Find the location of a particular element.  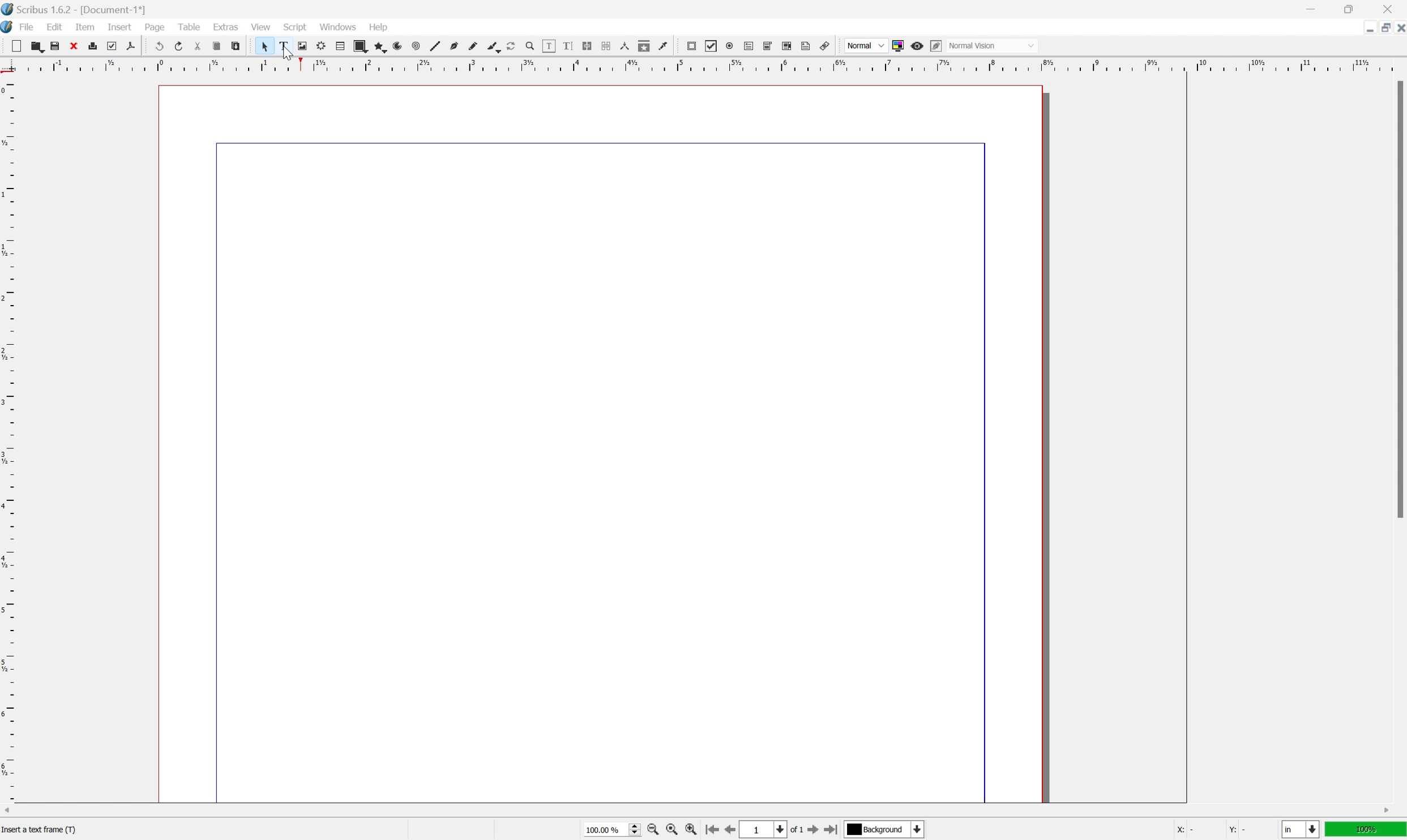

table is located at coordinates (340, 46).